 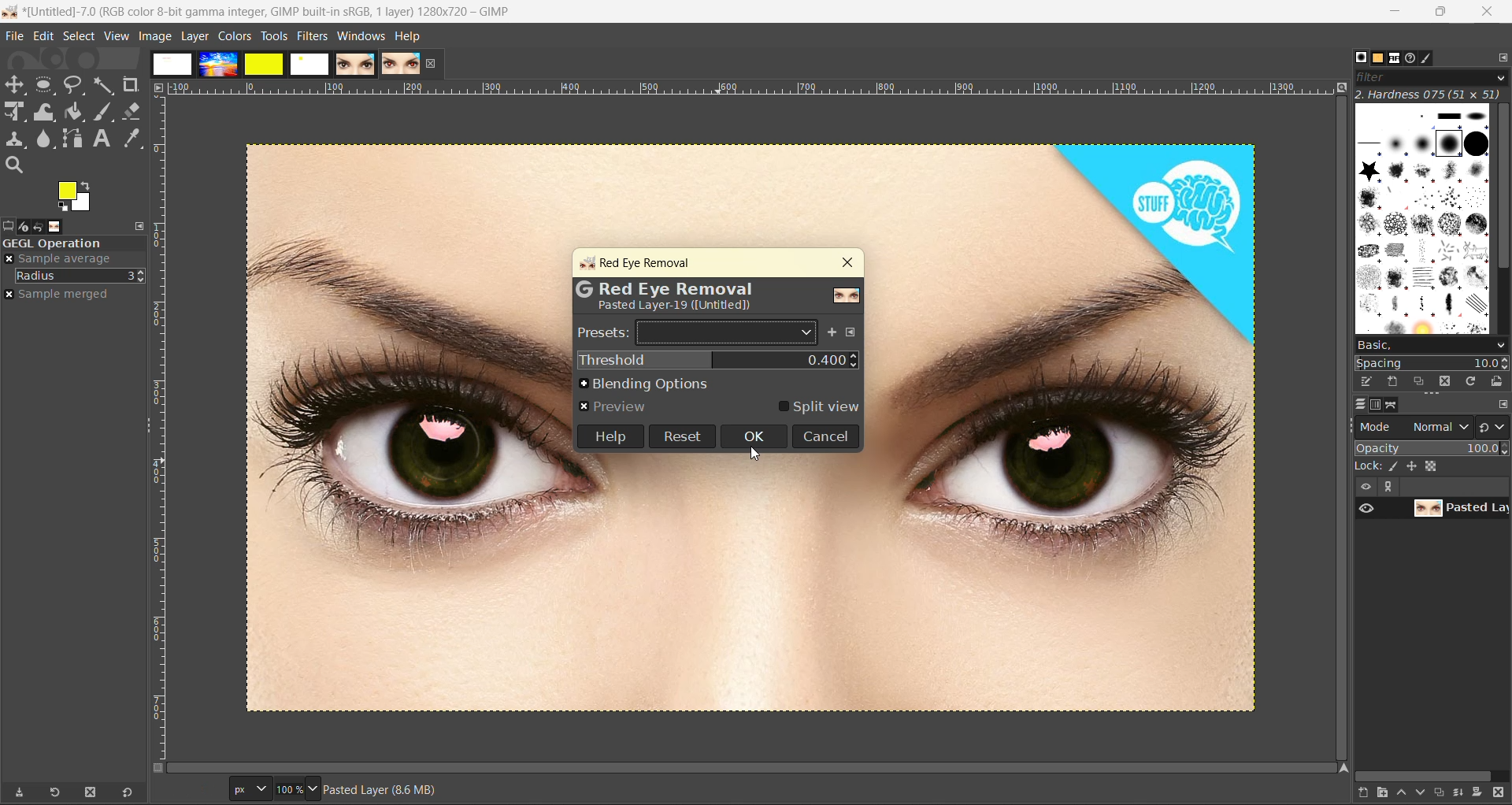 I want to click on layer, so click(x=1354, y=406).